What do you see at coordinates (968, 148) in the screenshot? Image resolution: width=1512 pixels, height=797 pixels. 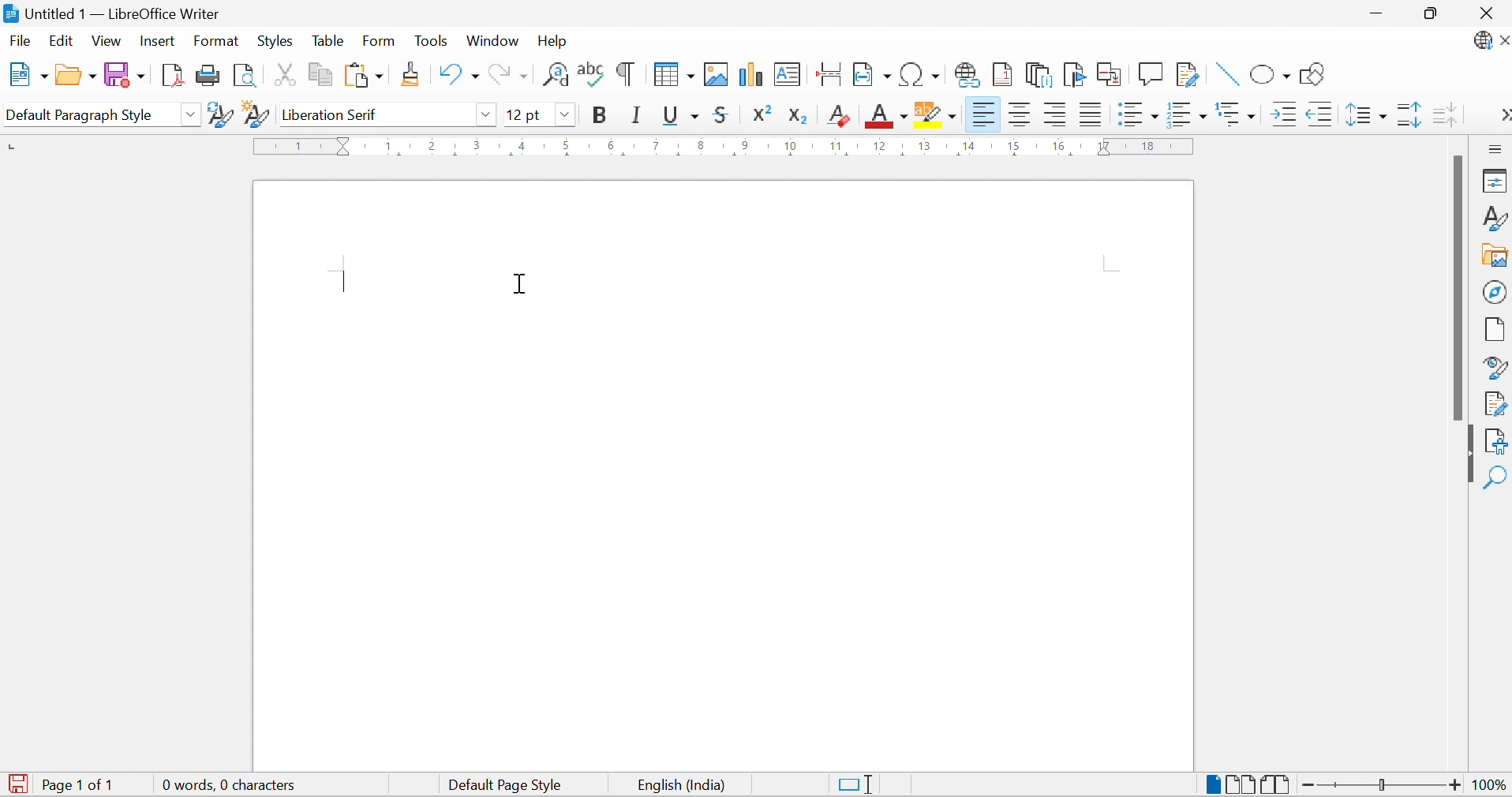 I see `14` at bounding box center [968, 148].